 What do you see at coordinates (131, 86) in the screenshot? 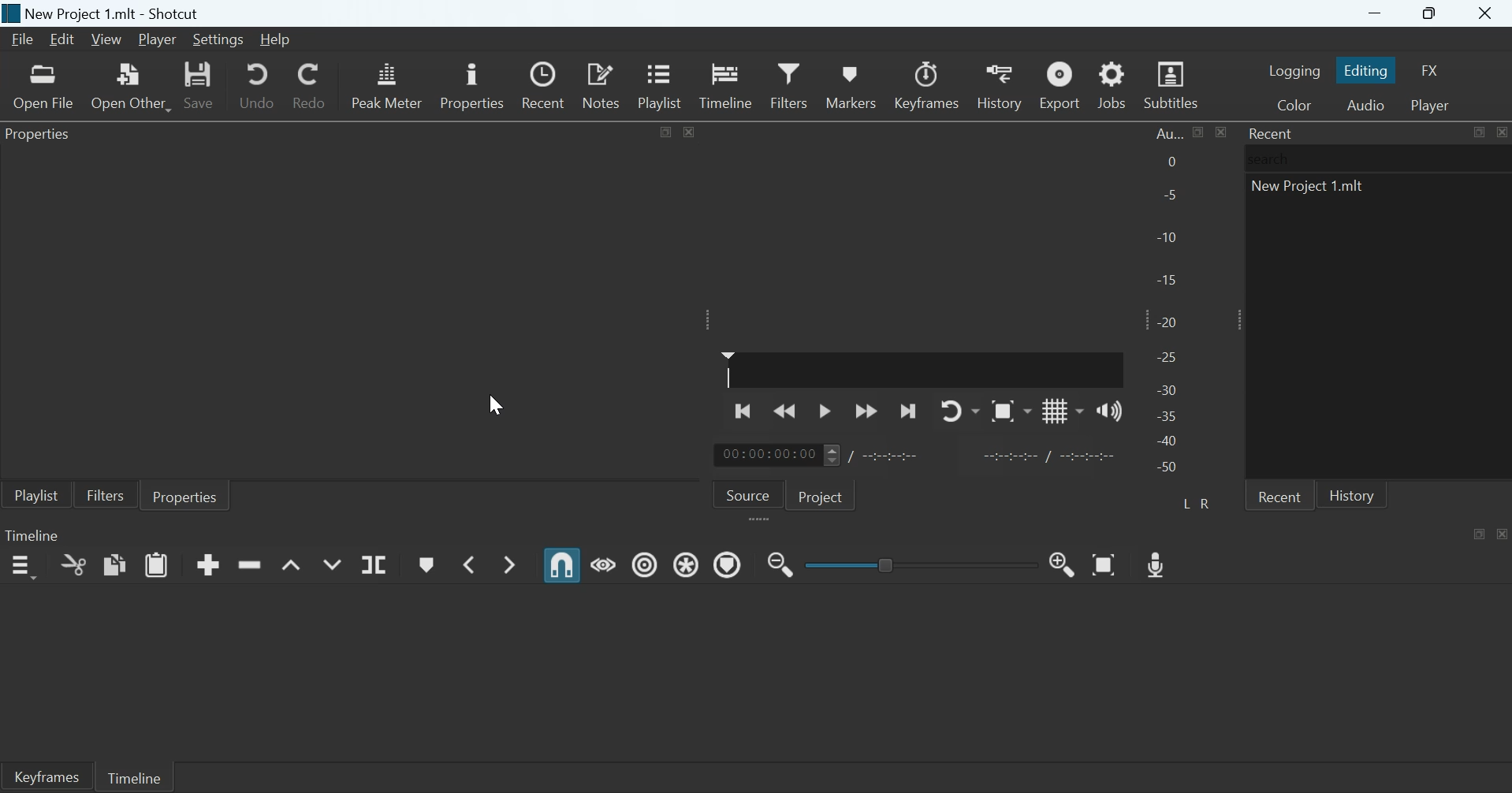
I see `Open a device, stream or generator` at bounding box center [131, 86].